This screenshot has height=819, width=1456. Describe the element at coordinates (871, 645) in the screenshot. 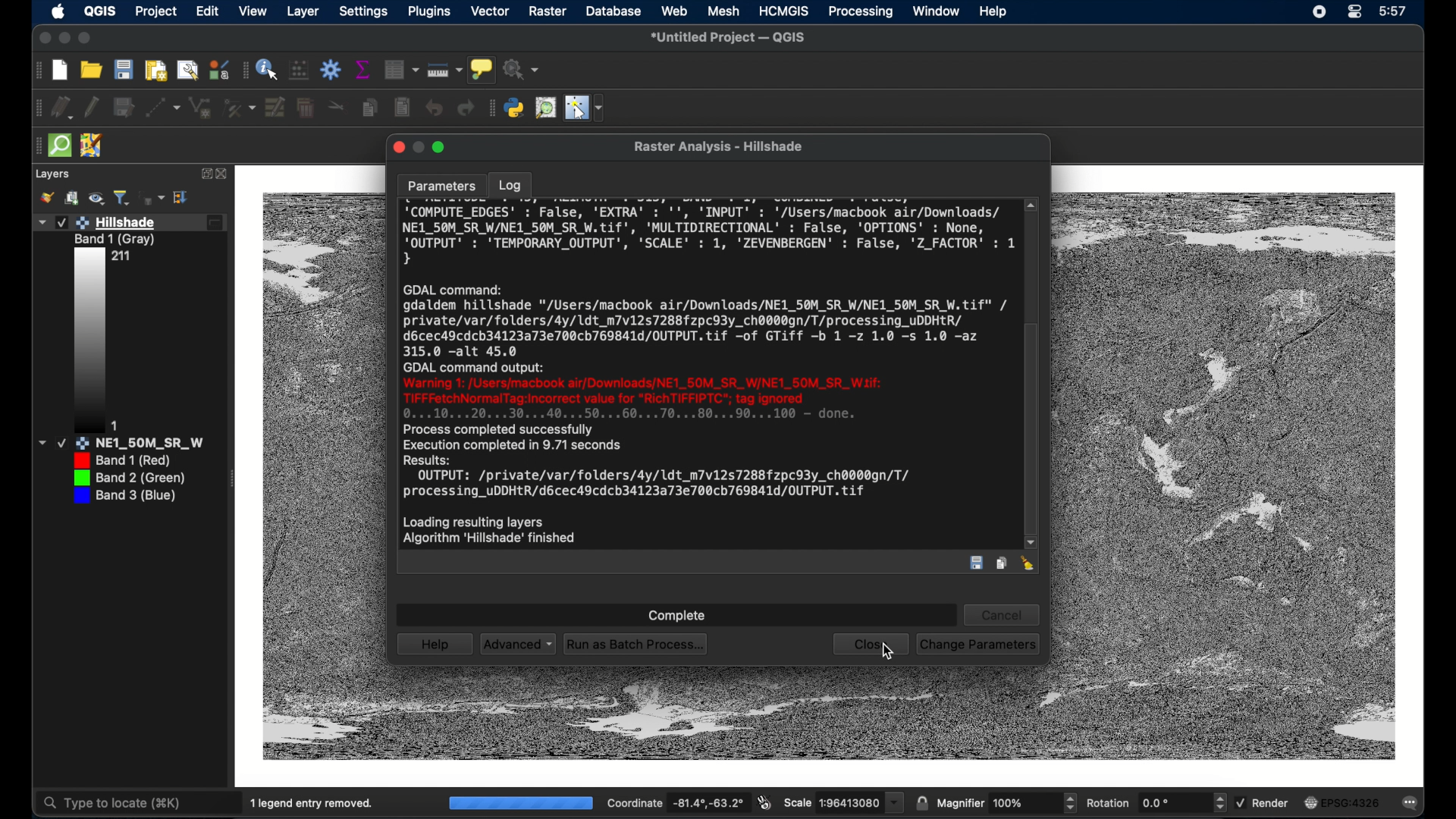

I see `close` at that location.